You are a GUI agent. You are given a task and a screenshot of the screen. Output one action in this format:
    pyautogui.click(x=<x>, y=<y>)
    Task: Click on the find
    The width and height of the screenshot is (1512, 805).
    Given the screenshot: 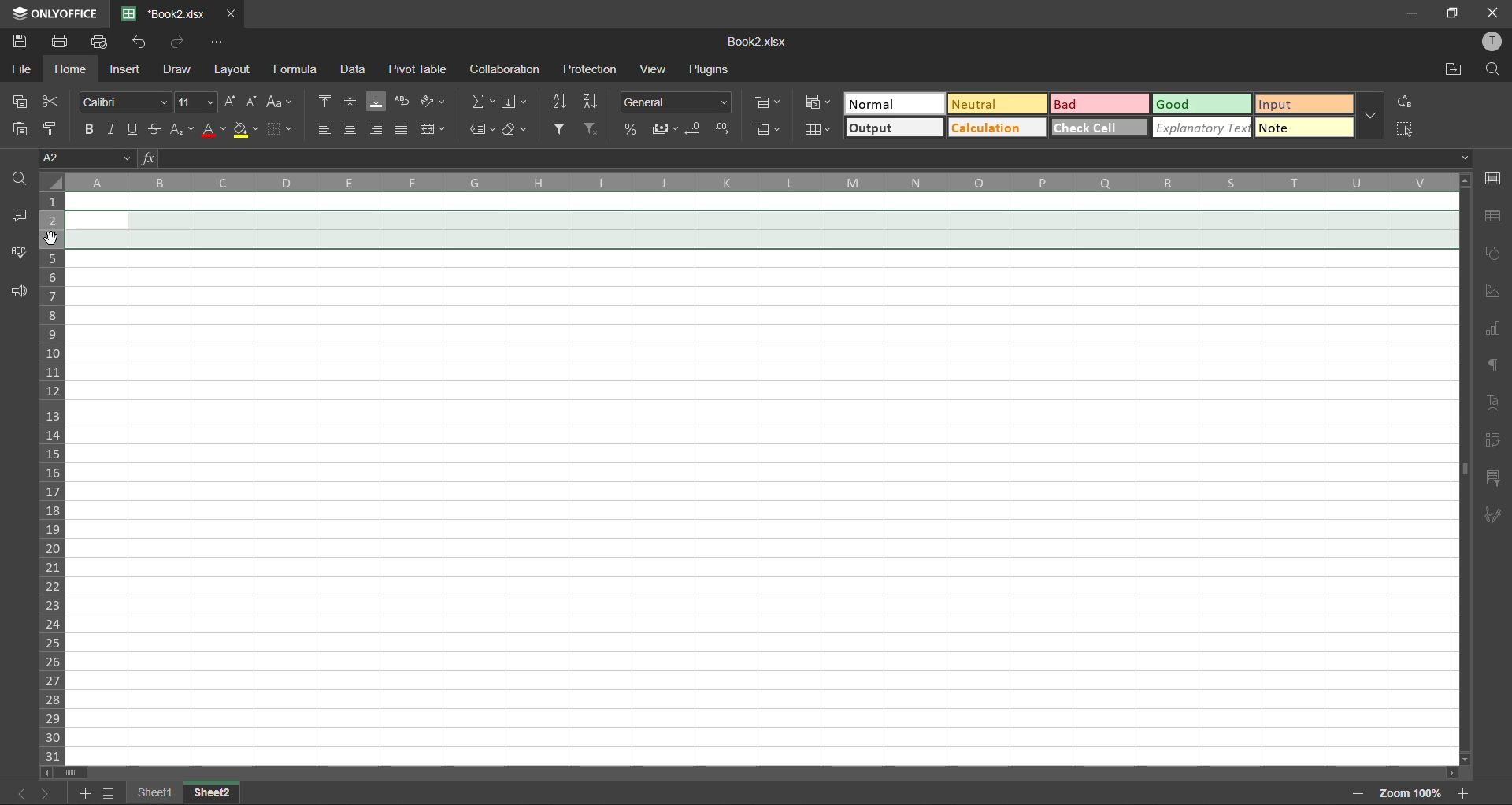 What is the action you would take?
    pyautogui.click(x=1494, y=69)
    